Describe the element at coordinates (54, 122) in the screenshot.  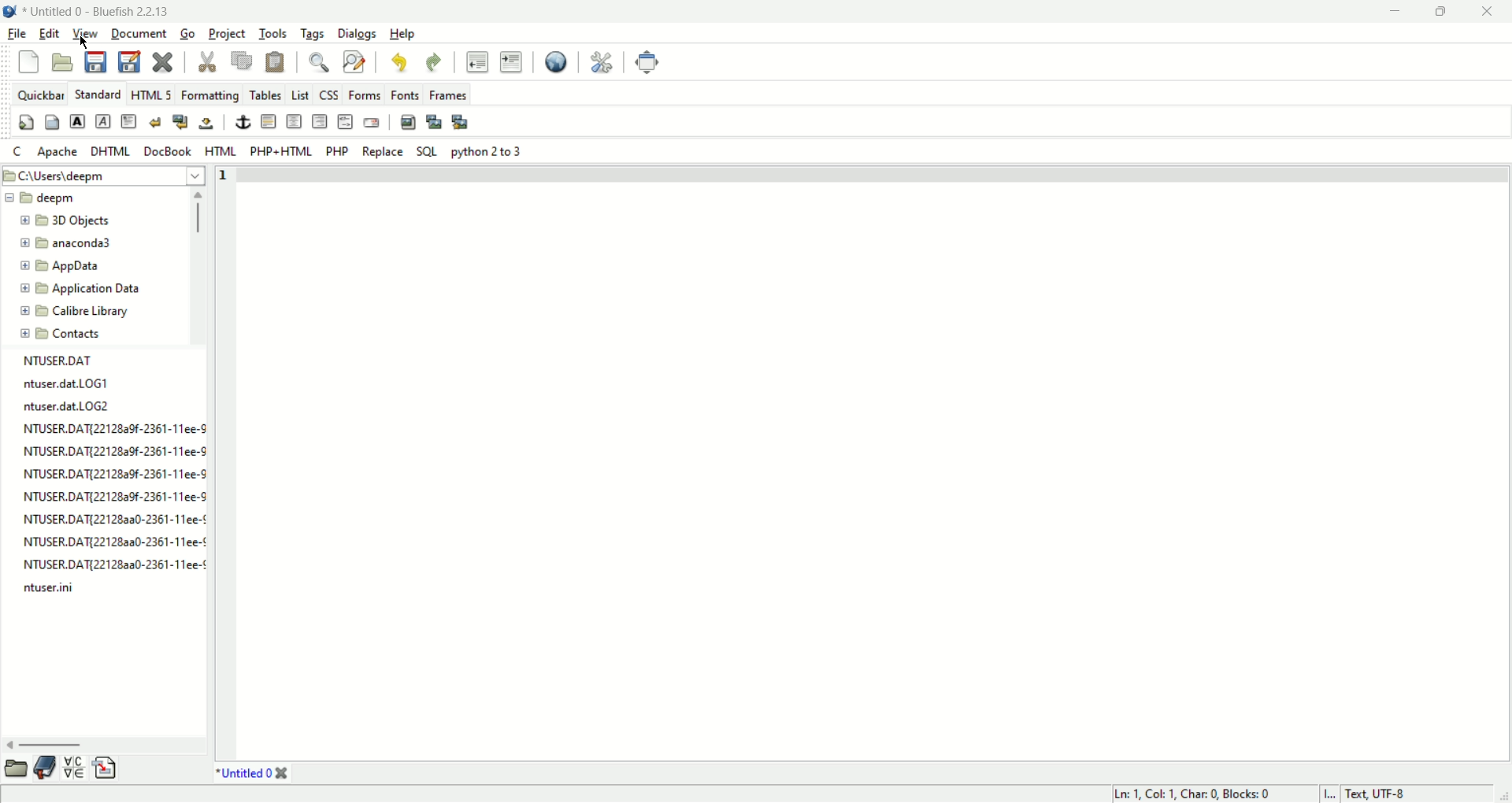
I see `body` at that location.